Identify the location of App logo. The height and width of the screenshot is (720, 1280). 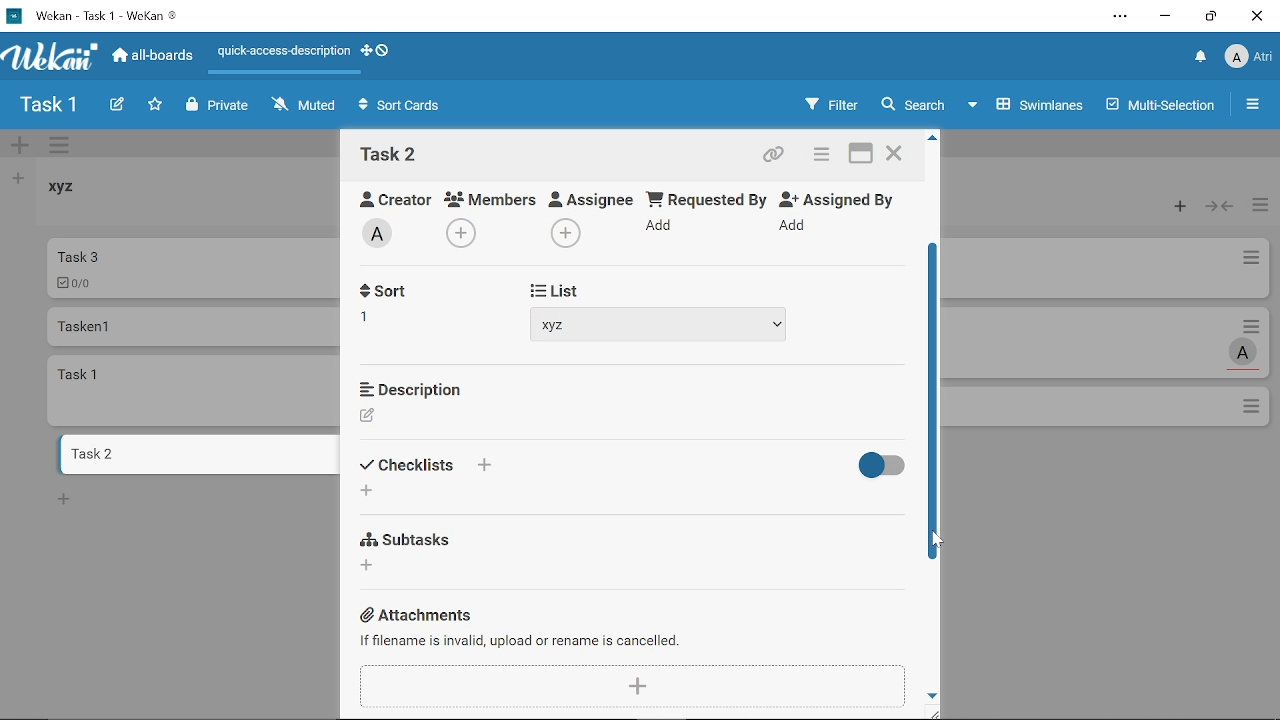
(51, 56).